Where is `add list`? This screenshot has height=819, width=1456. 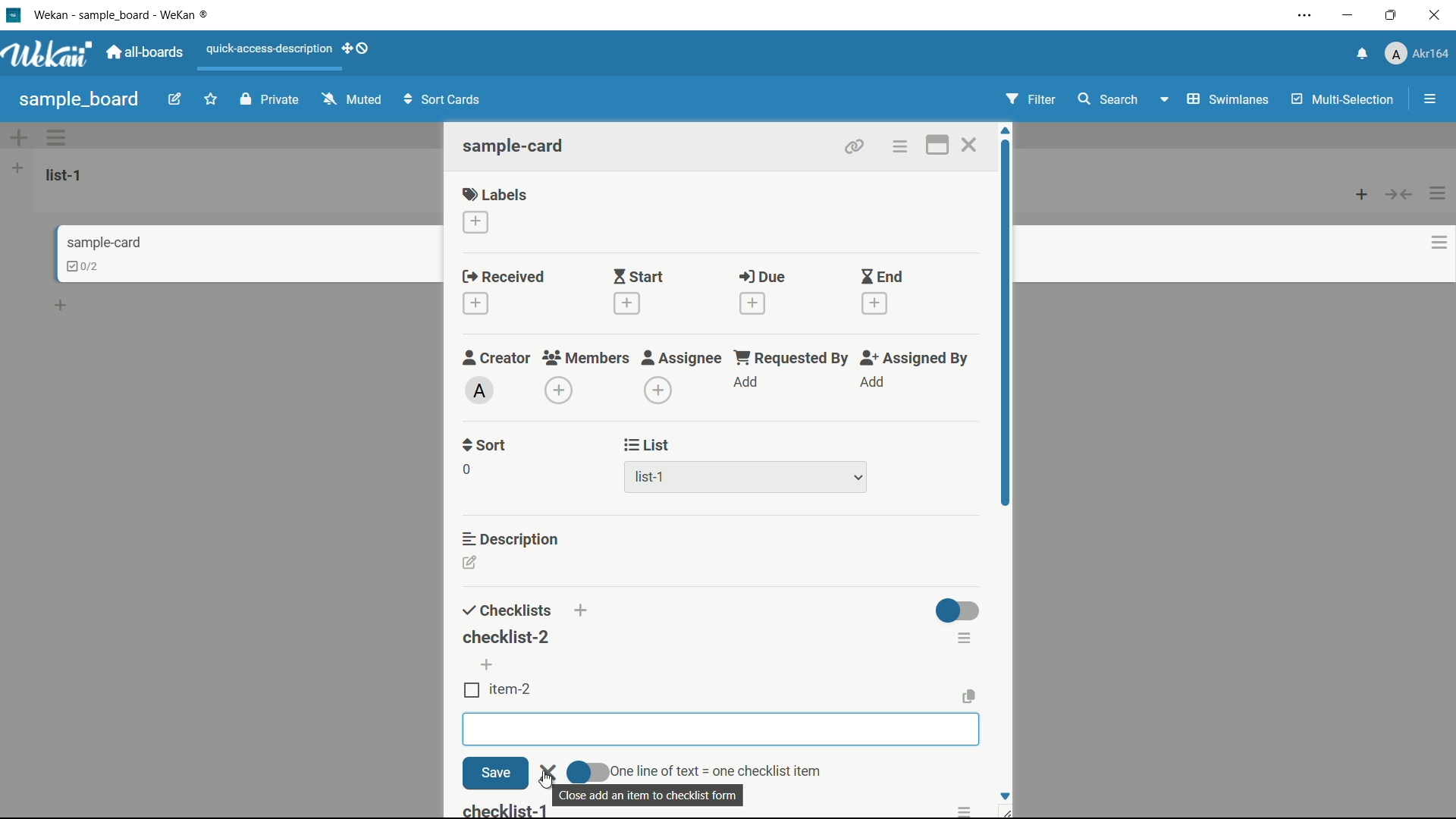 add list is located at coordinates (17, 168).